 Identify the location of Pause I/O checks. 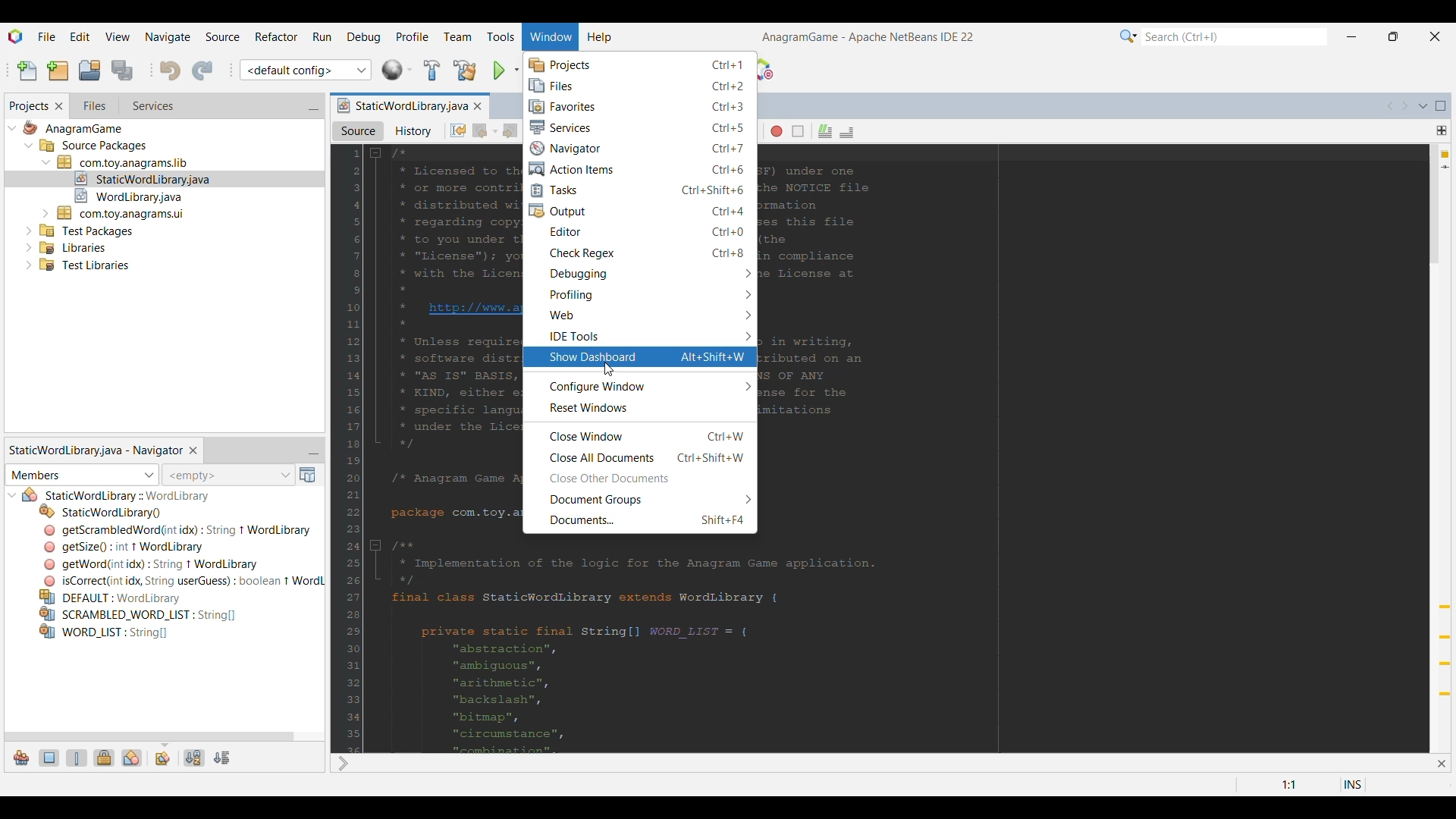
(767, 69).